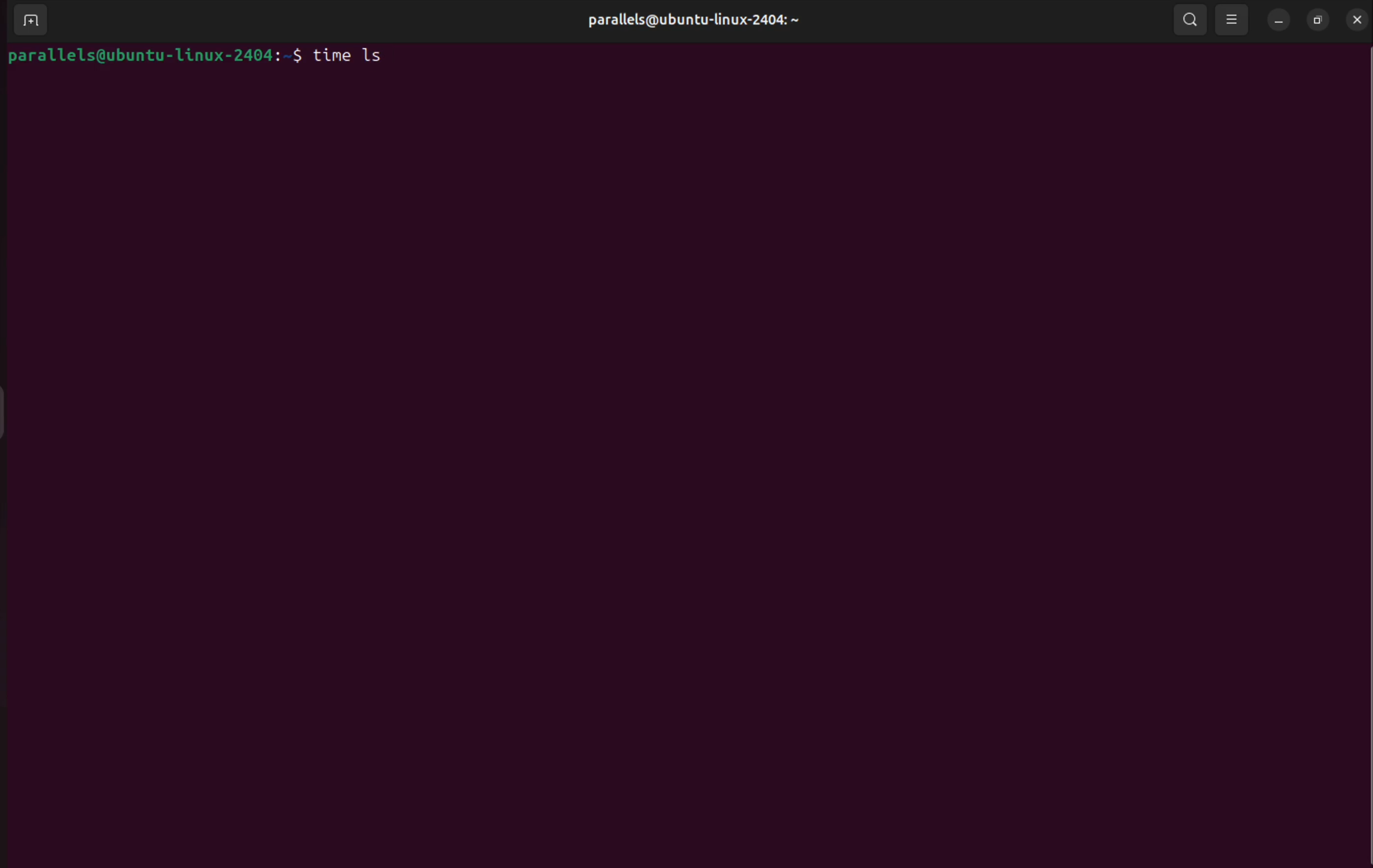  Describe the element at coordinates (1319, 20) in the screenshot. I see `resize` at that location.